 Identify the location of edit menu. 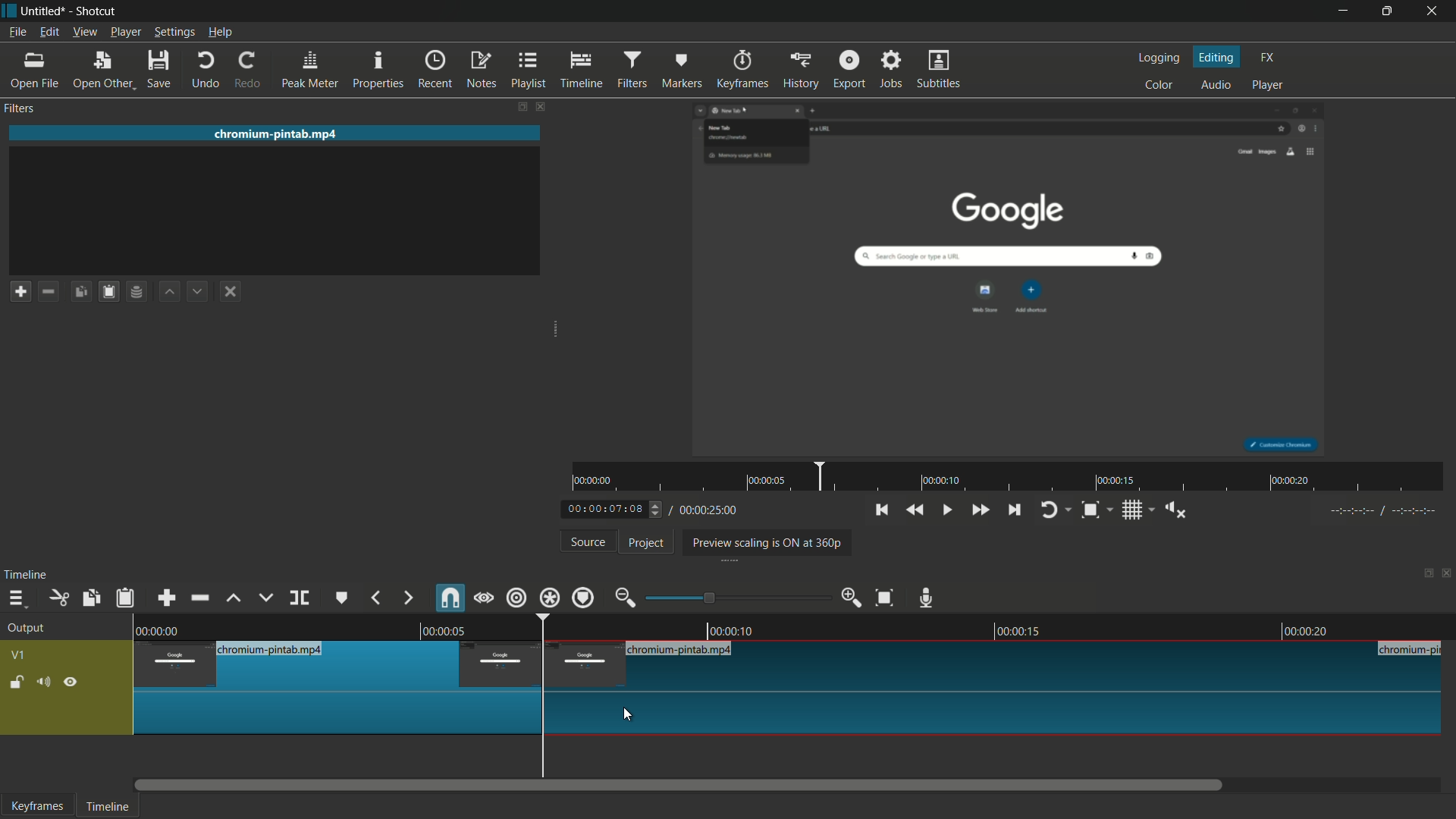
(48, 32).